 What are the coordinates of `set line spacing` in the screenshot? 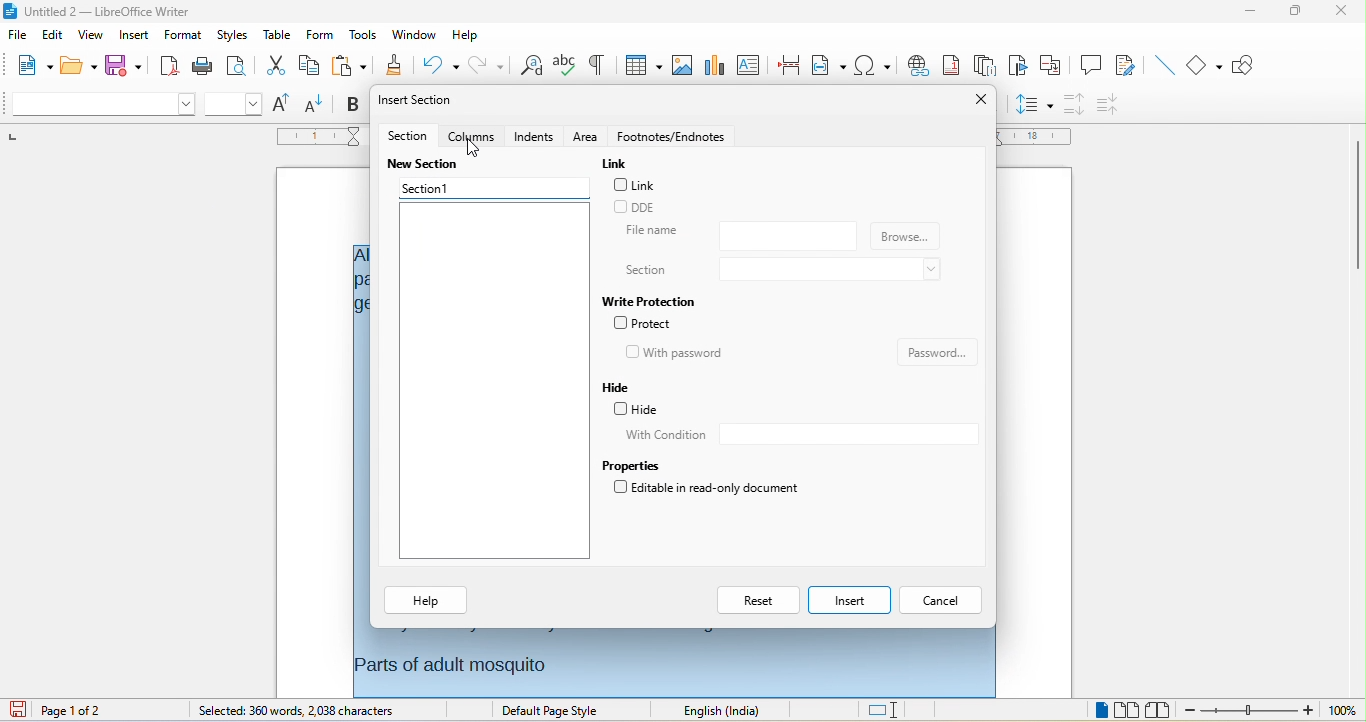 It's located at (1034, 106).